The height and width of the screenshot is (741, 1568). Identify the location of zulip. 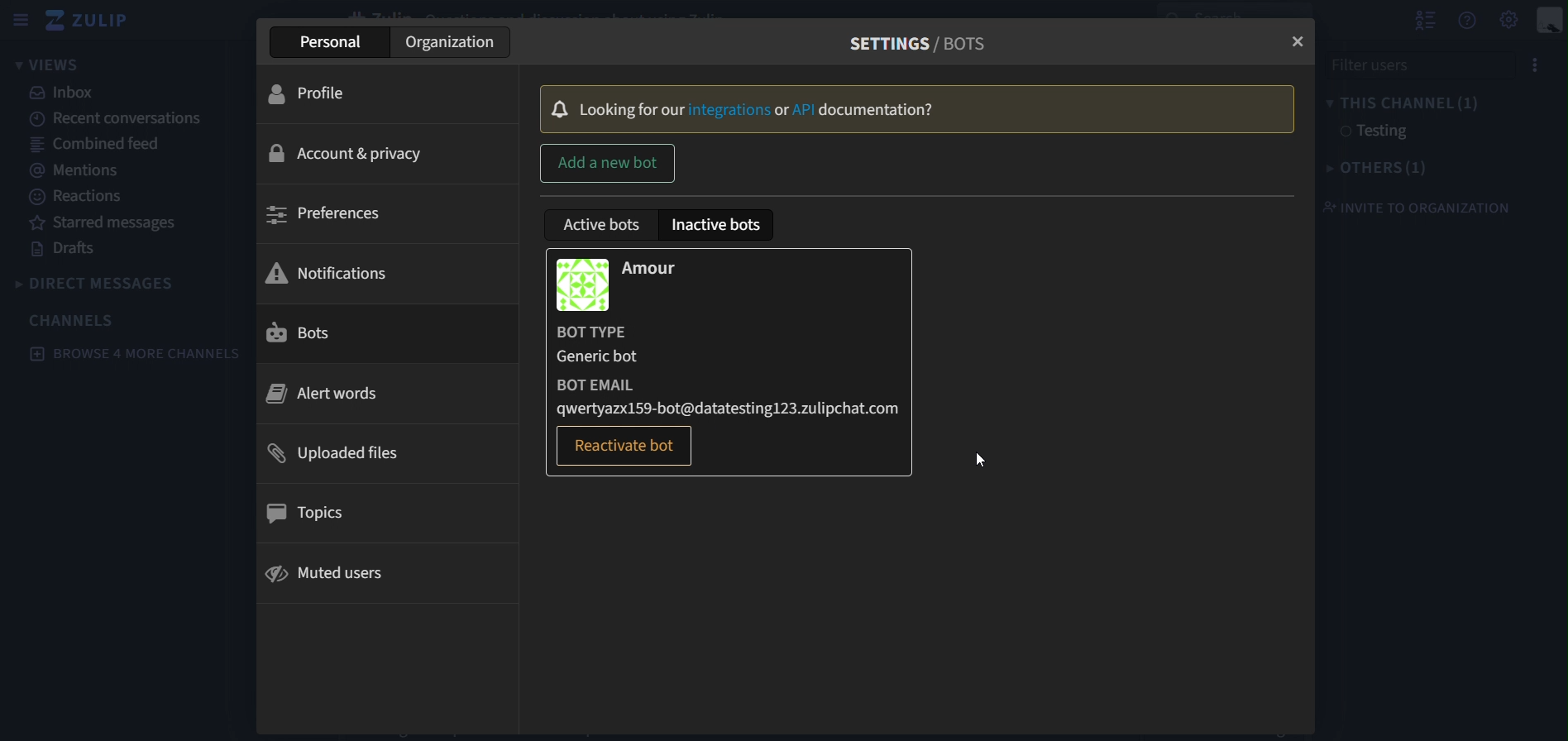
(95, 22).